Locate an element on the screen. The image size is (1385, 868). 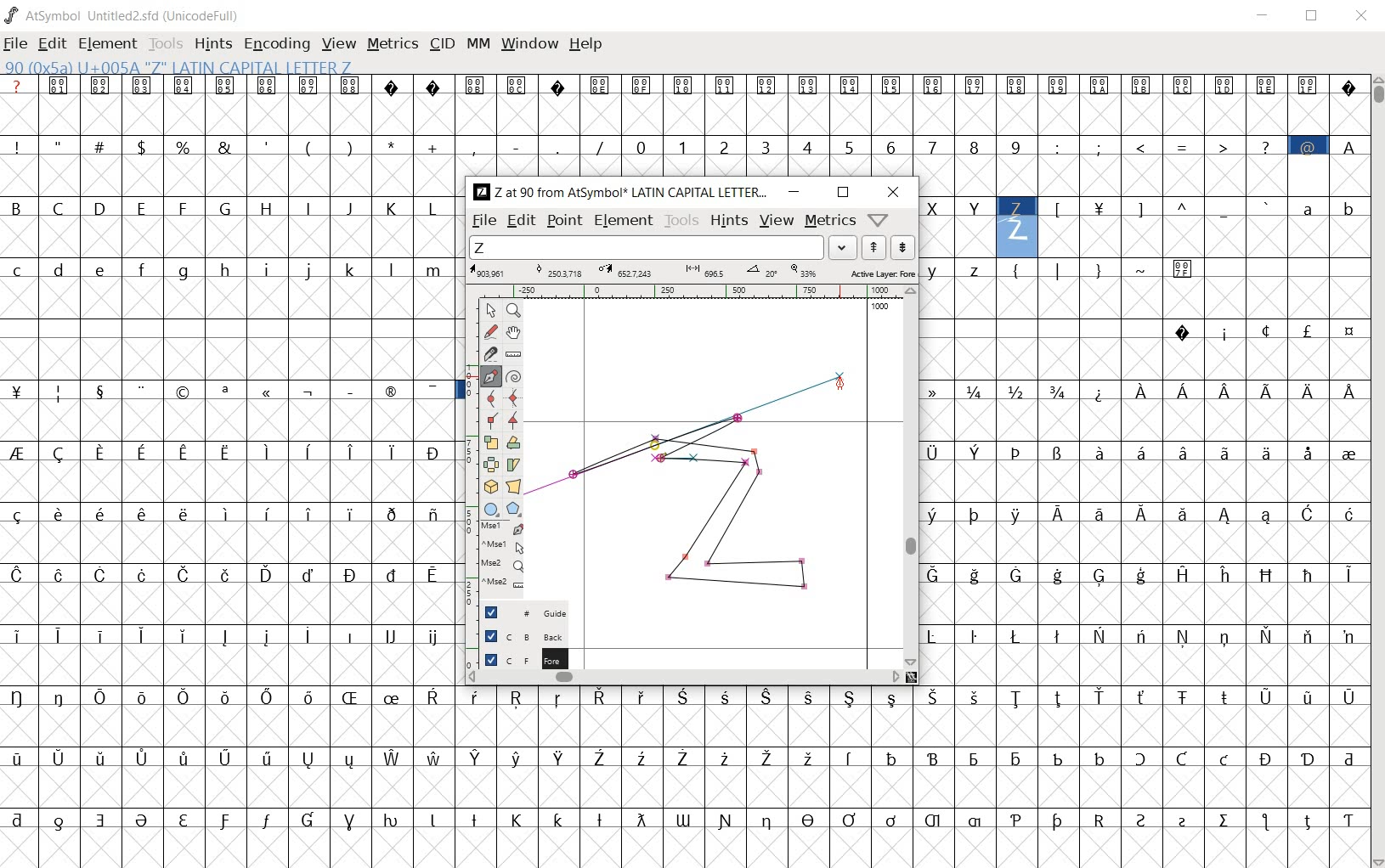
scroll by hand is located at coordinates (515, 332).